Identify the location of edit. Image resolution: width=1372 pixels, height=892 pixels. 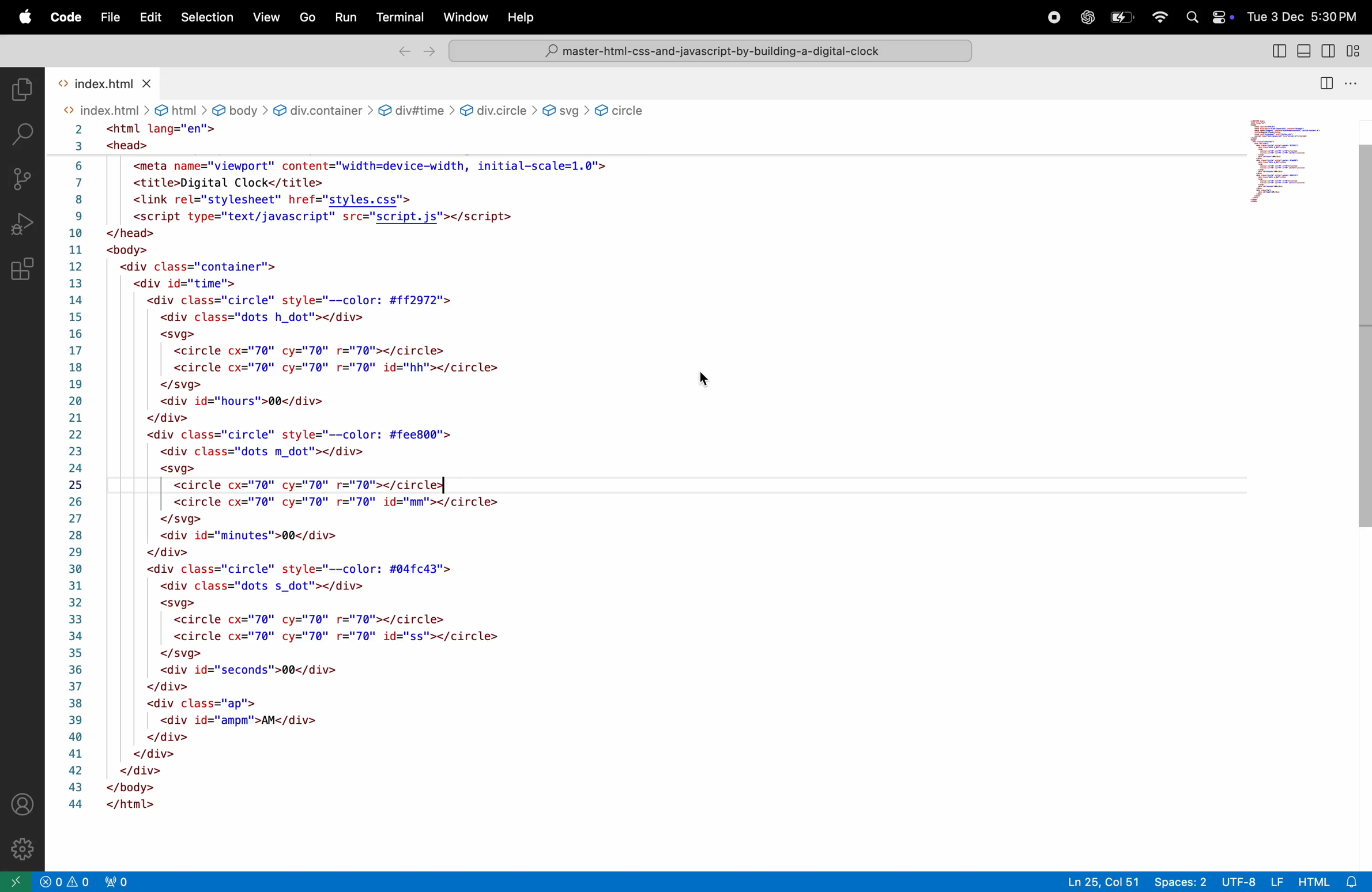
(149, 17).